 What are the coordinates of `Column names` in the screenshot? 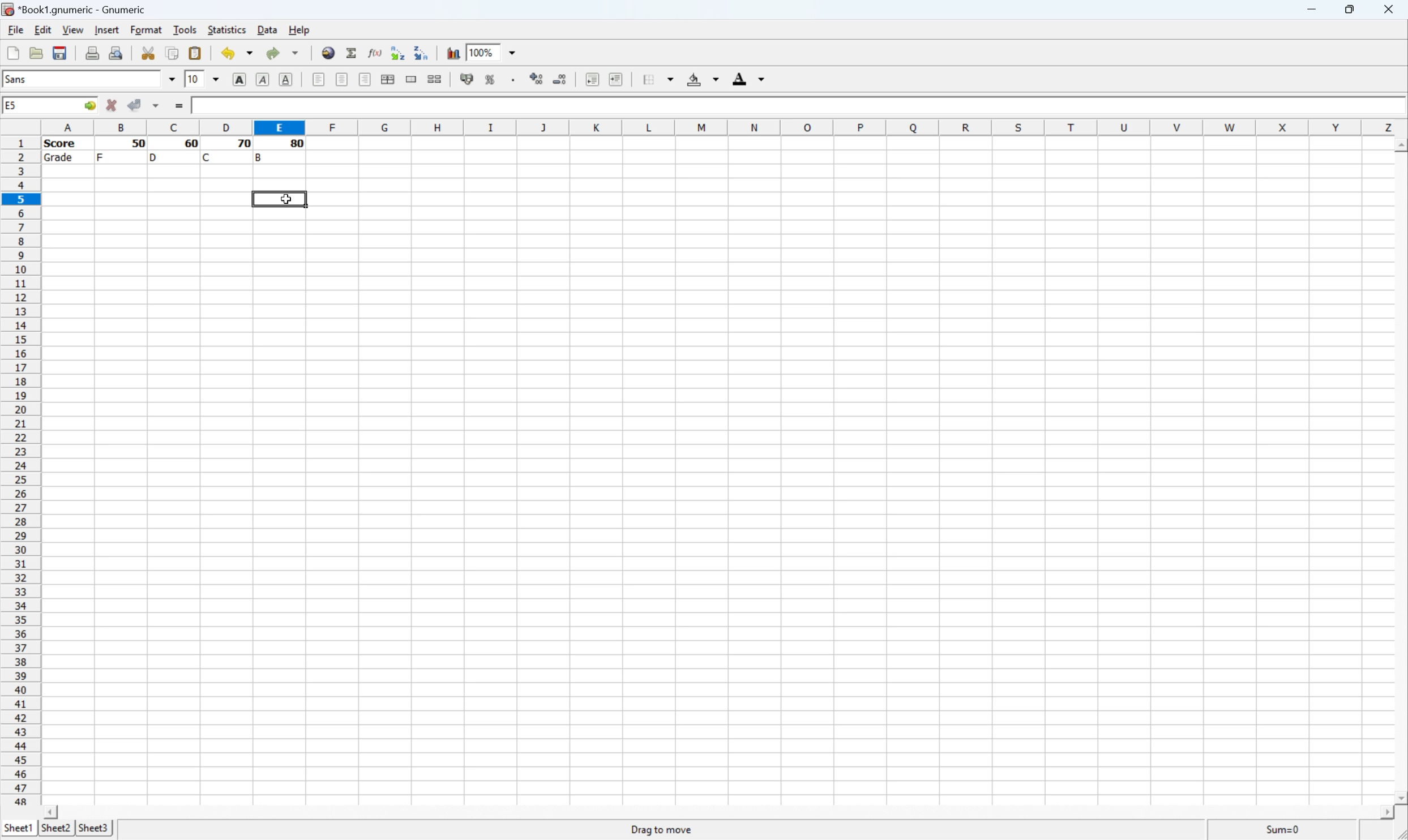 It's located at (724, 126).